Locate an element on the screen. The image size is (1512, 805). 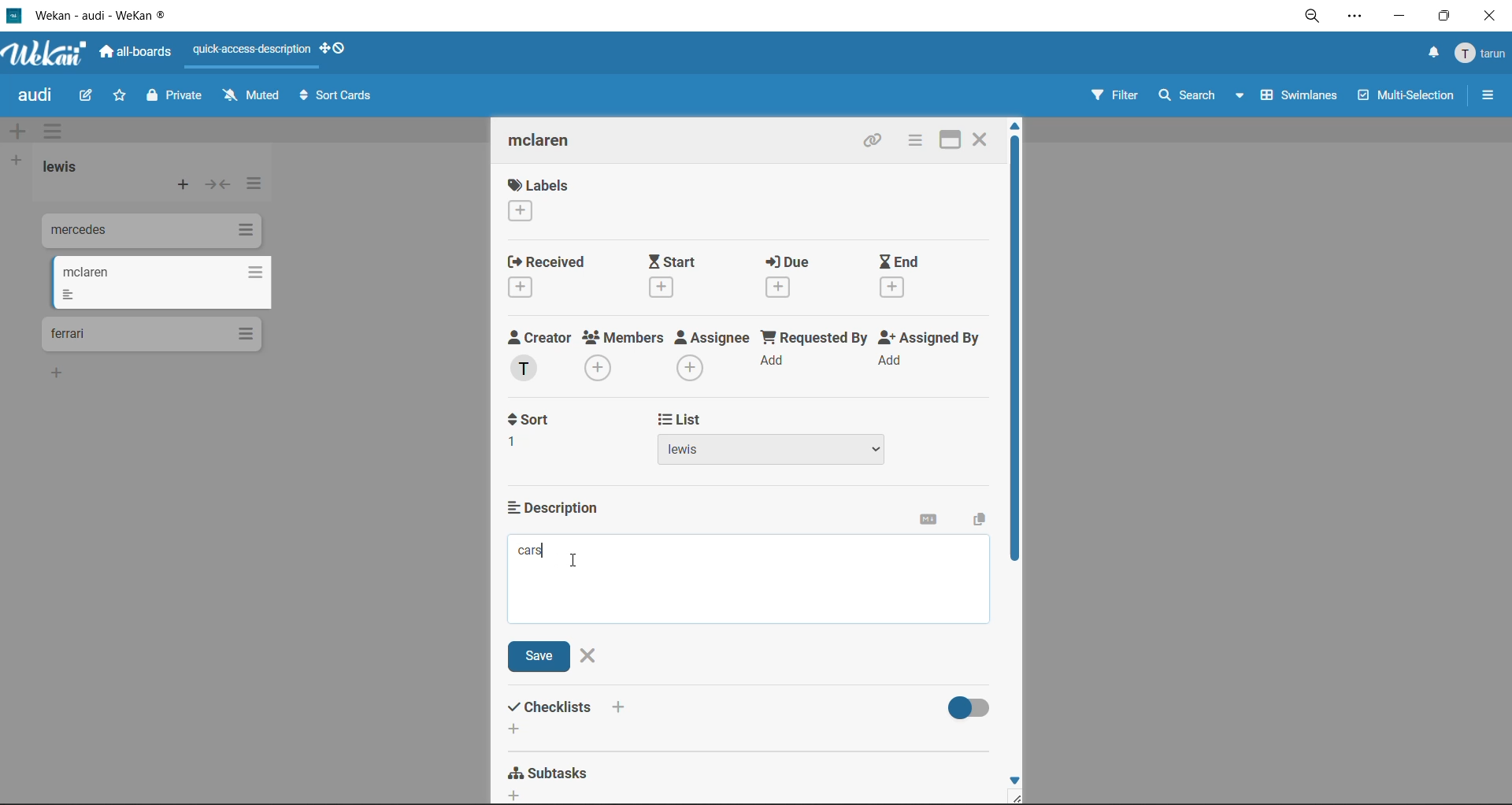
labels is located at coordinates (539, 199).